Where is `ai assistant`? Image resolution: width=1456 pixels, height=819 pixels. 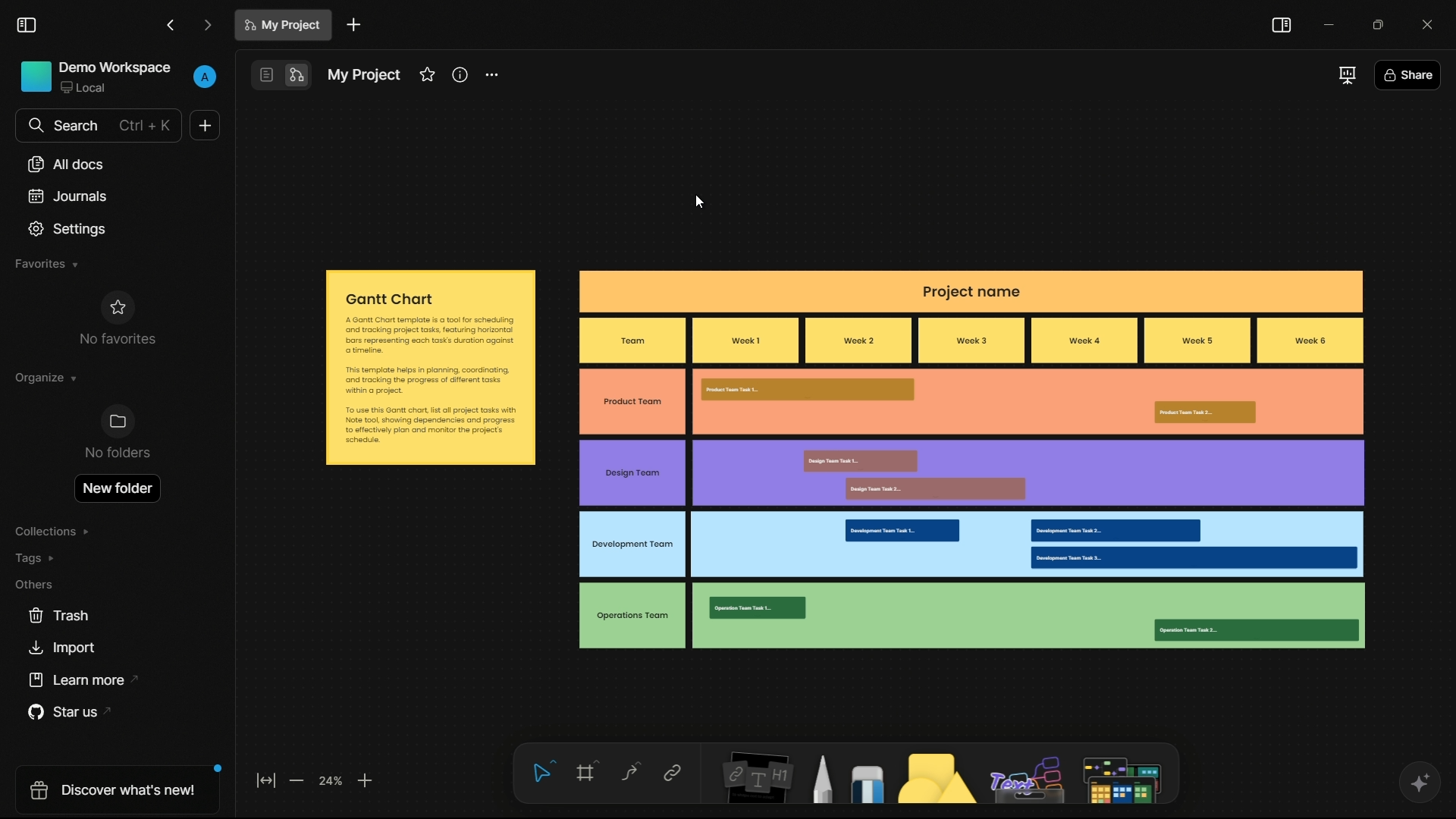 ai assistant is located at coordinates (1417, 781).